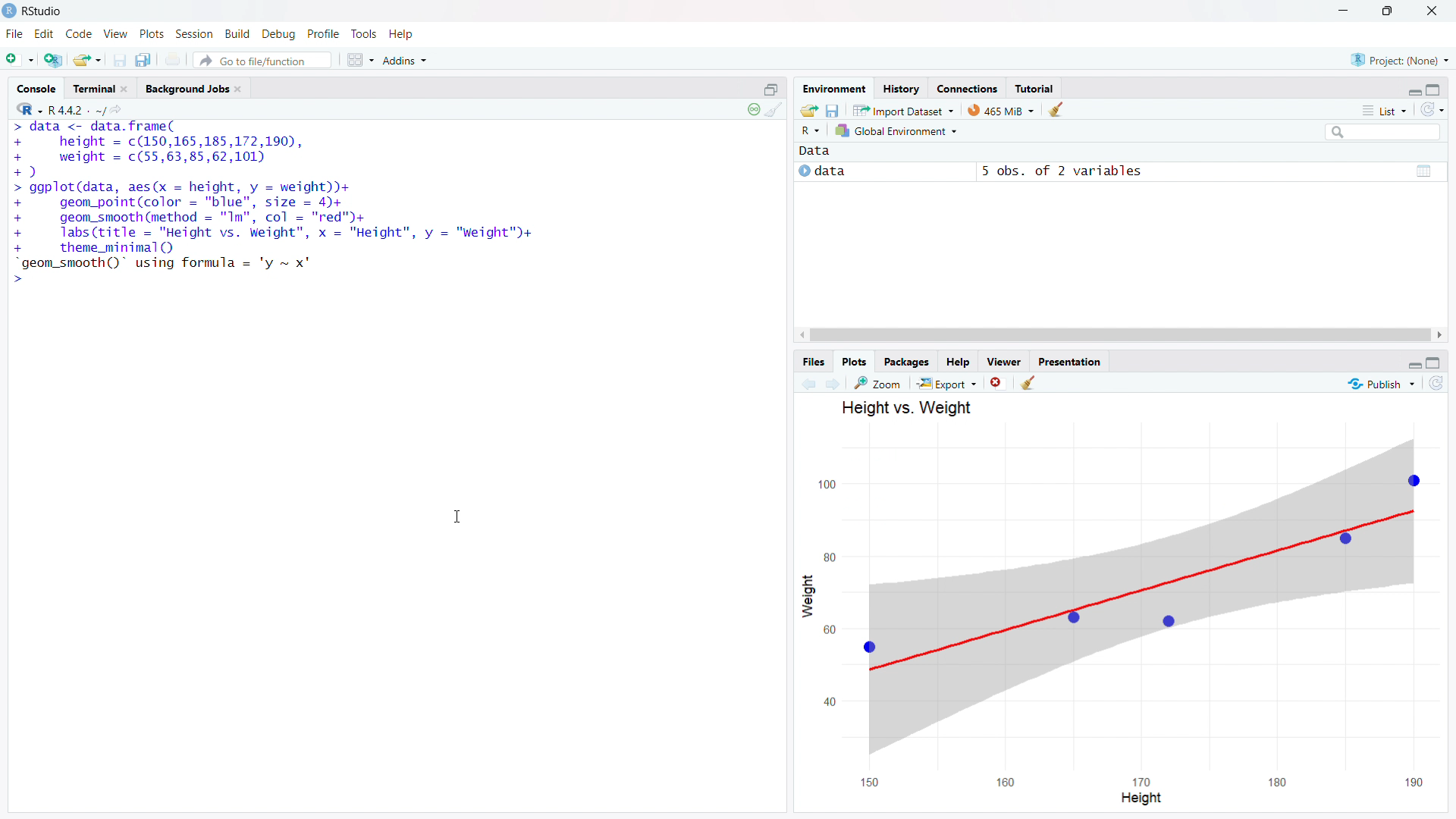 Image resolution: width=1456 pixels, height=819 pixels. Describe the element at coordinates (1381, 131) in the screenshot. I see `search` at that location.